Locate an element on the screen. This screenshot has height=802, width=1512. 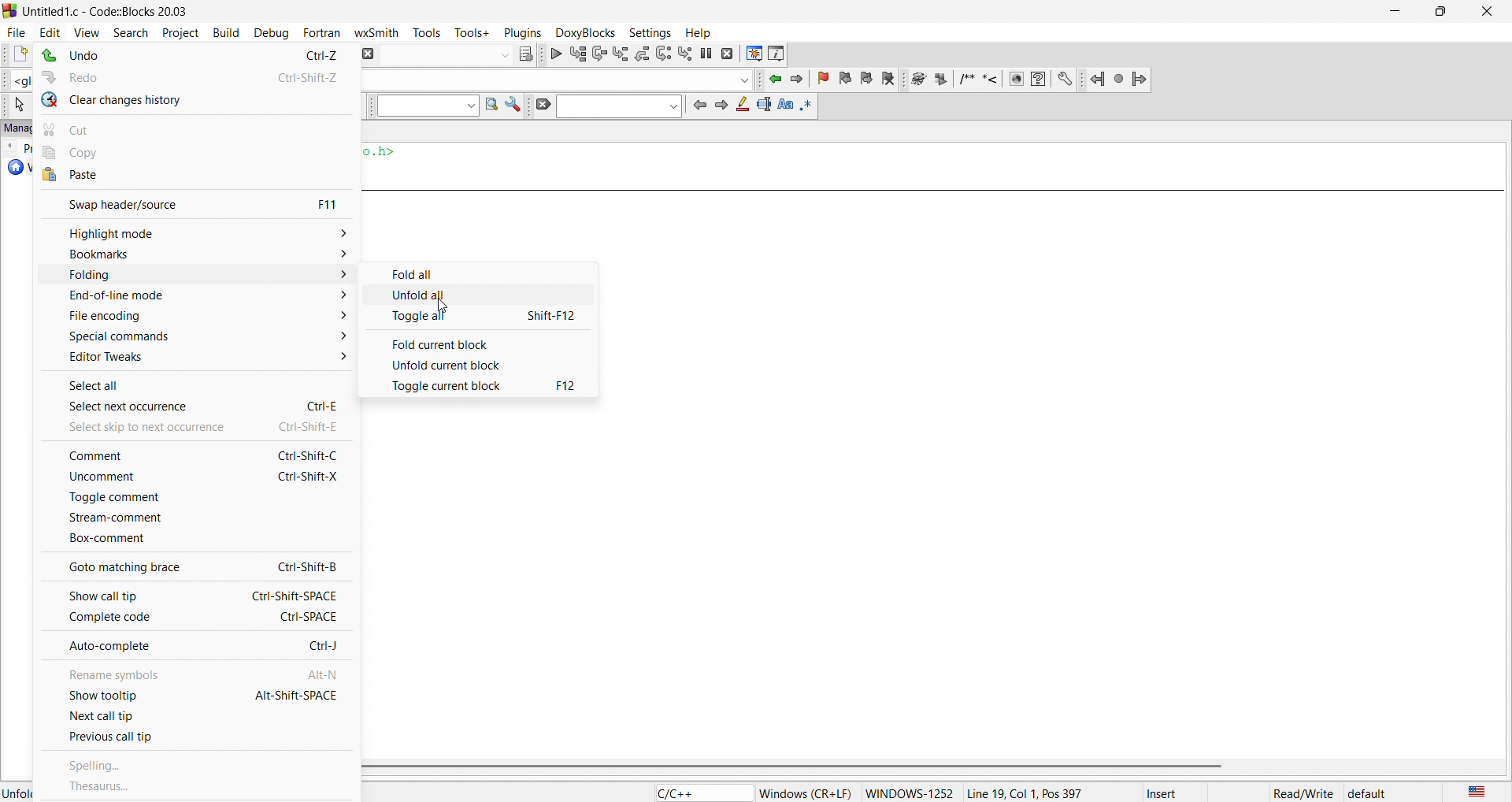
complete code is located at coordinates (196, 618).